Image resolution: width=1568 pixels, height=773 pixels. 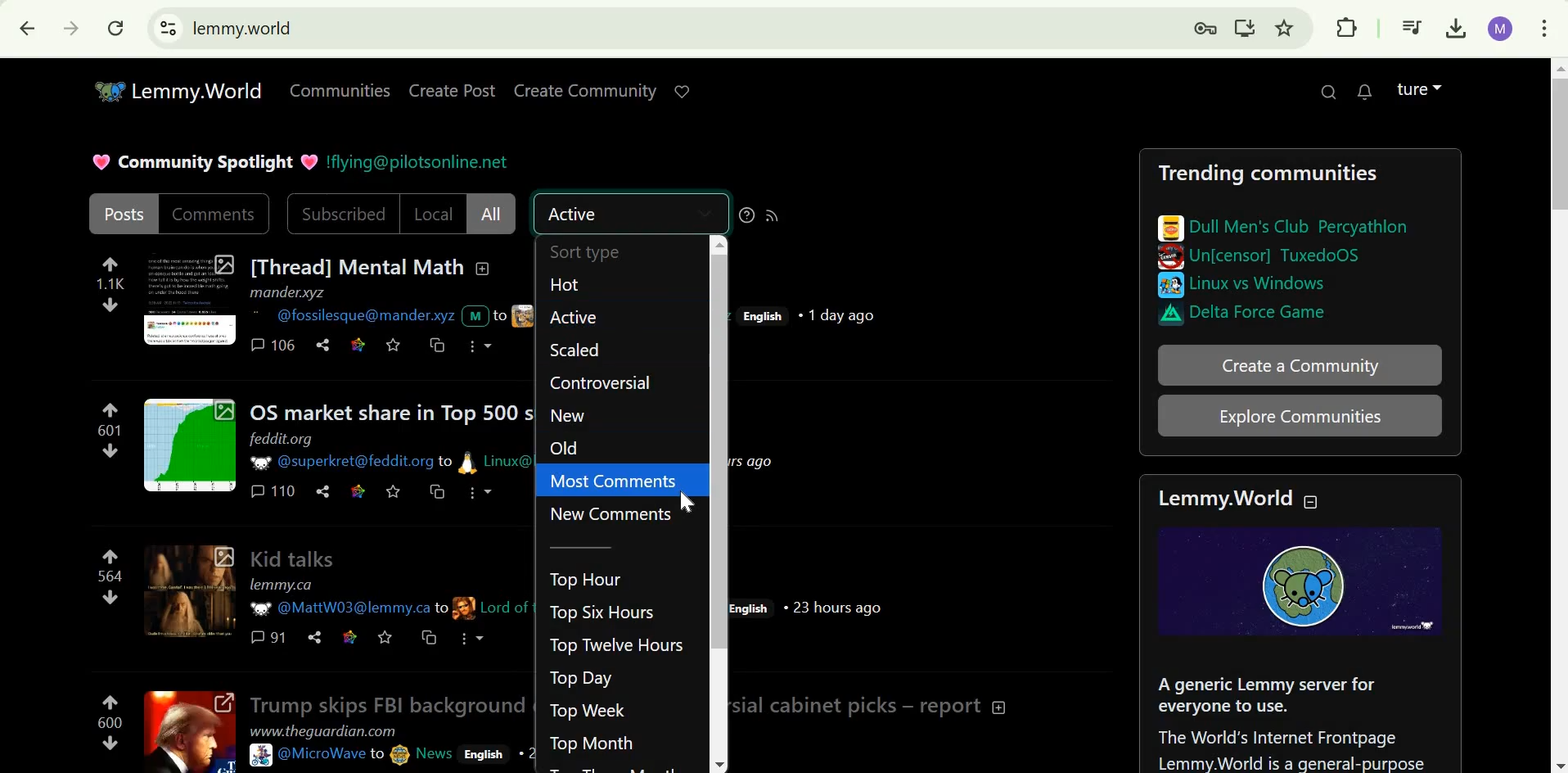 I want to click on 1.1K points, so click(x=110, y=284).